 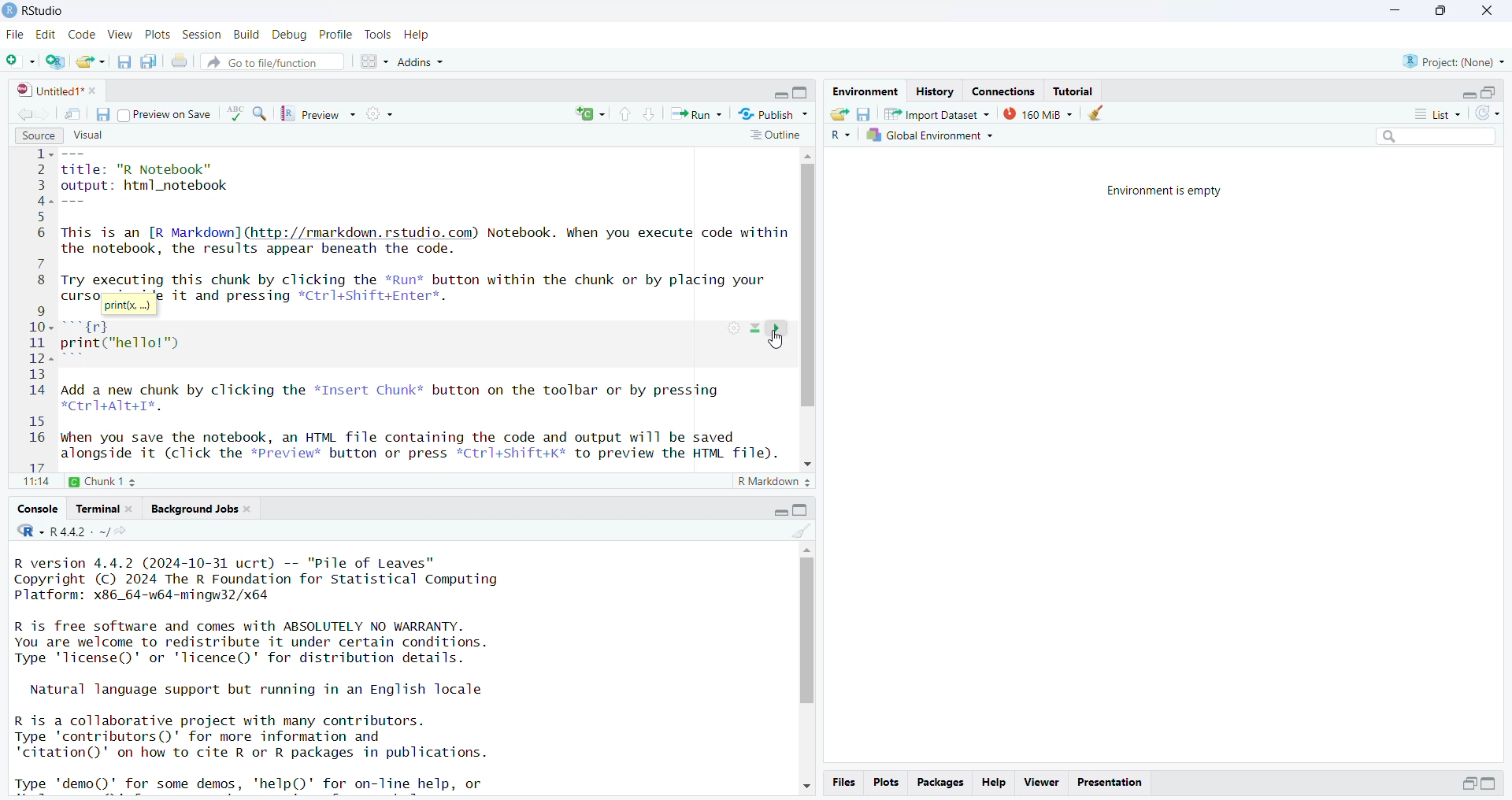 What do you see at coordinates (36, 135) in the screenshot?
I see `source` at bounding box center [36, 135].